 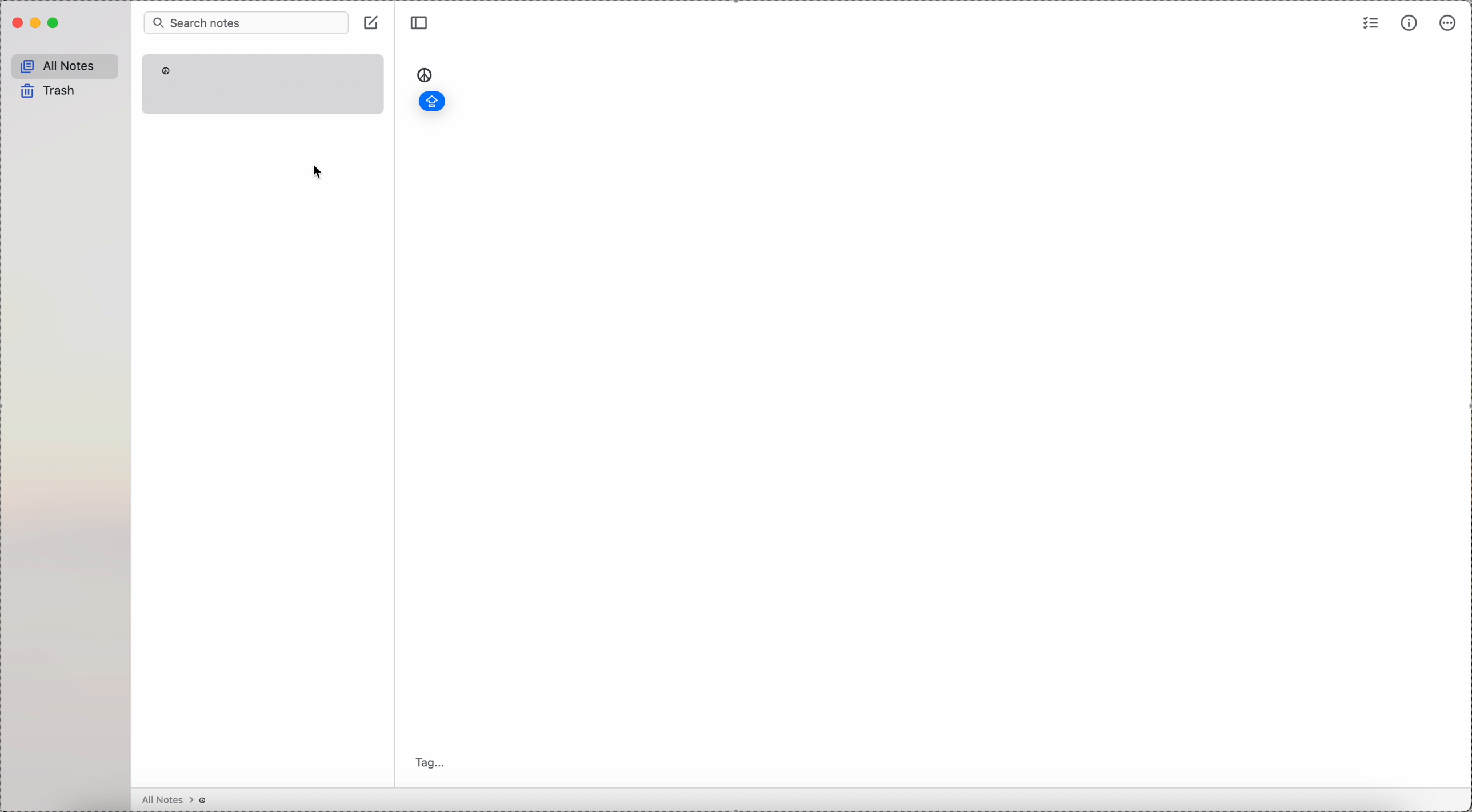 What do you see at coordinates (51, 92) in the screenshot?
I see `trash` at bounding box center [51, 92].